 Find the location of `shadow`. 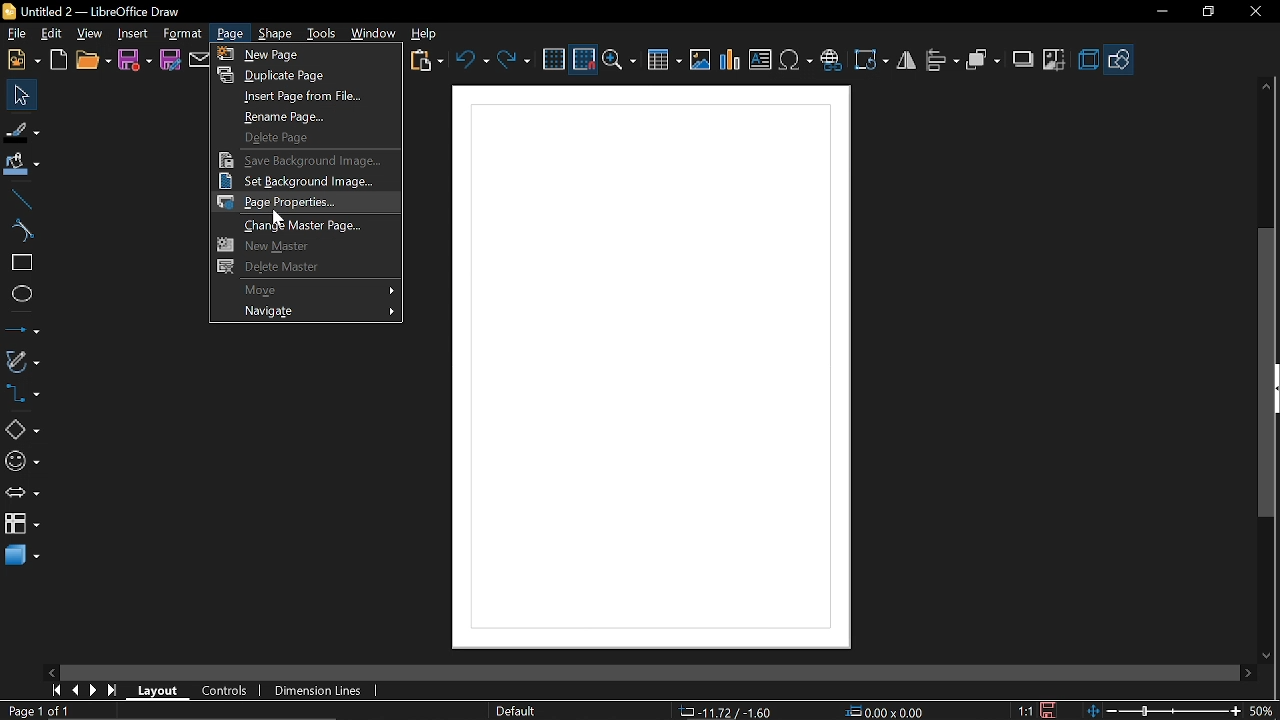

shadow is located at coordinates (1022, 59).